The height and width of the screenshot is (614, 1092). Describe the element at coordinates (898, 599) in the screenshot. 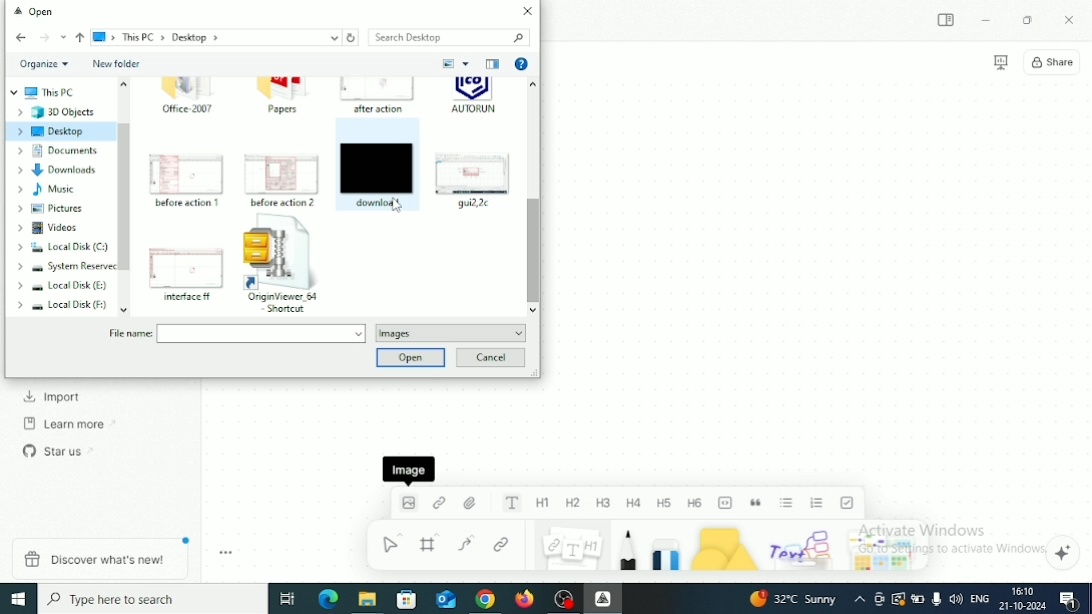

I see `Warning` at that location.